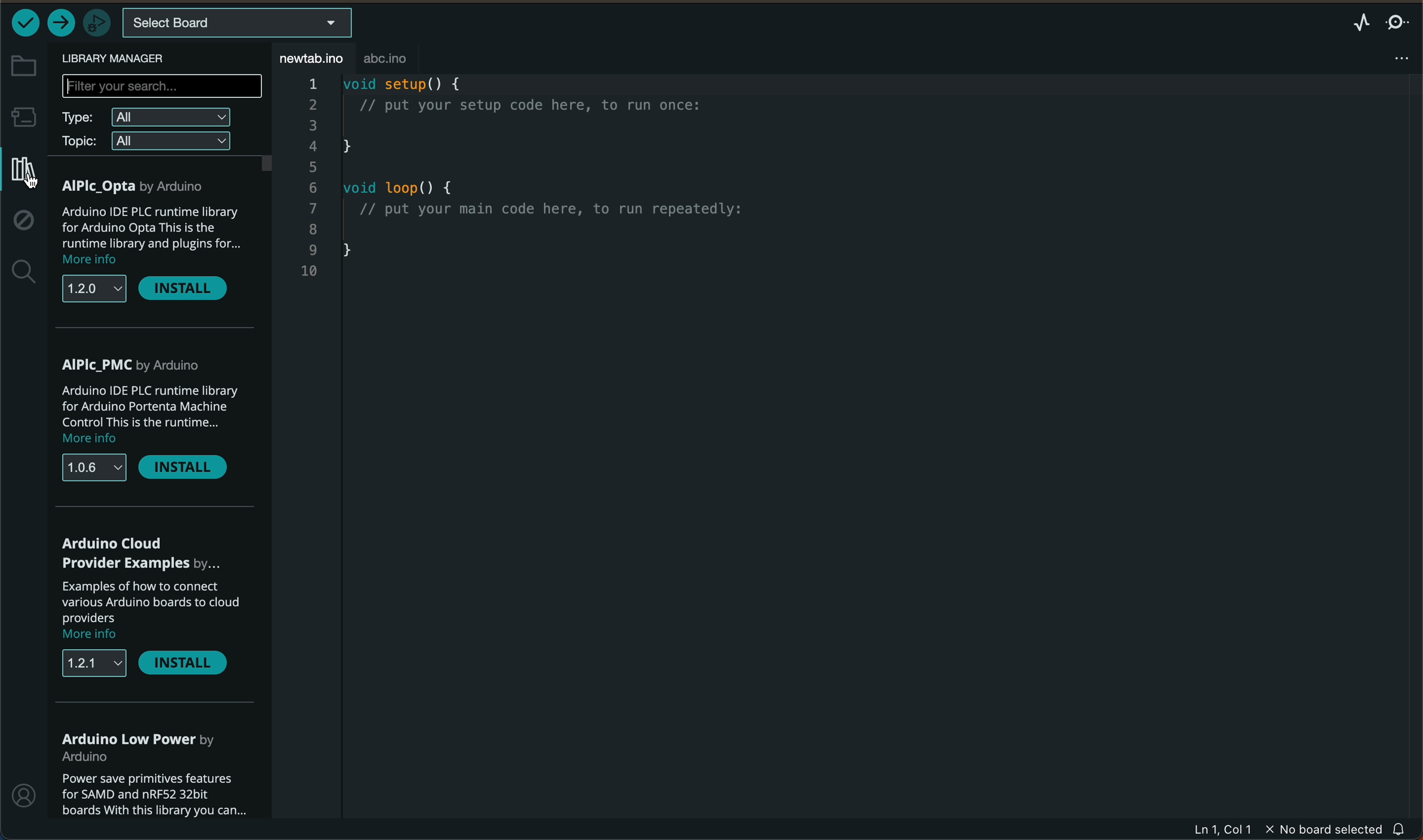  Describe the element at coordinates (26, 178) in the screenshot. I see `cursor` at that location.